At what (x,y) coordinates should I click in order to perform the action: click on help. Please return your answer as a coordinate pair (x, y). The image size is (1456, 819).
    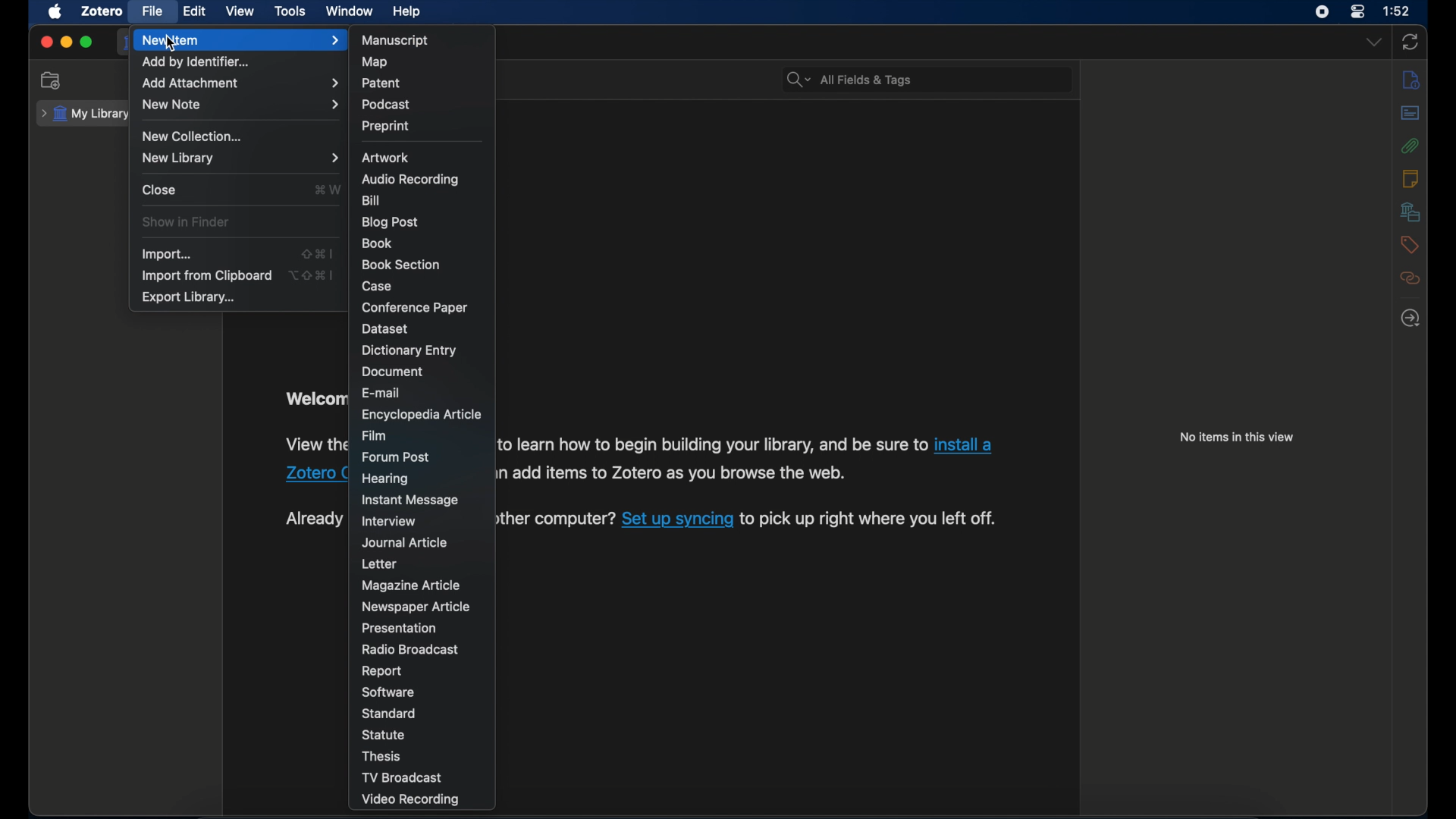
    Looking at the image, I should click on (406, 11).